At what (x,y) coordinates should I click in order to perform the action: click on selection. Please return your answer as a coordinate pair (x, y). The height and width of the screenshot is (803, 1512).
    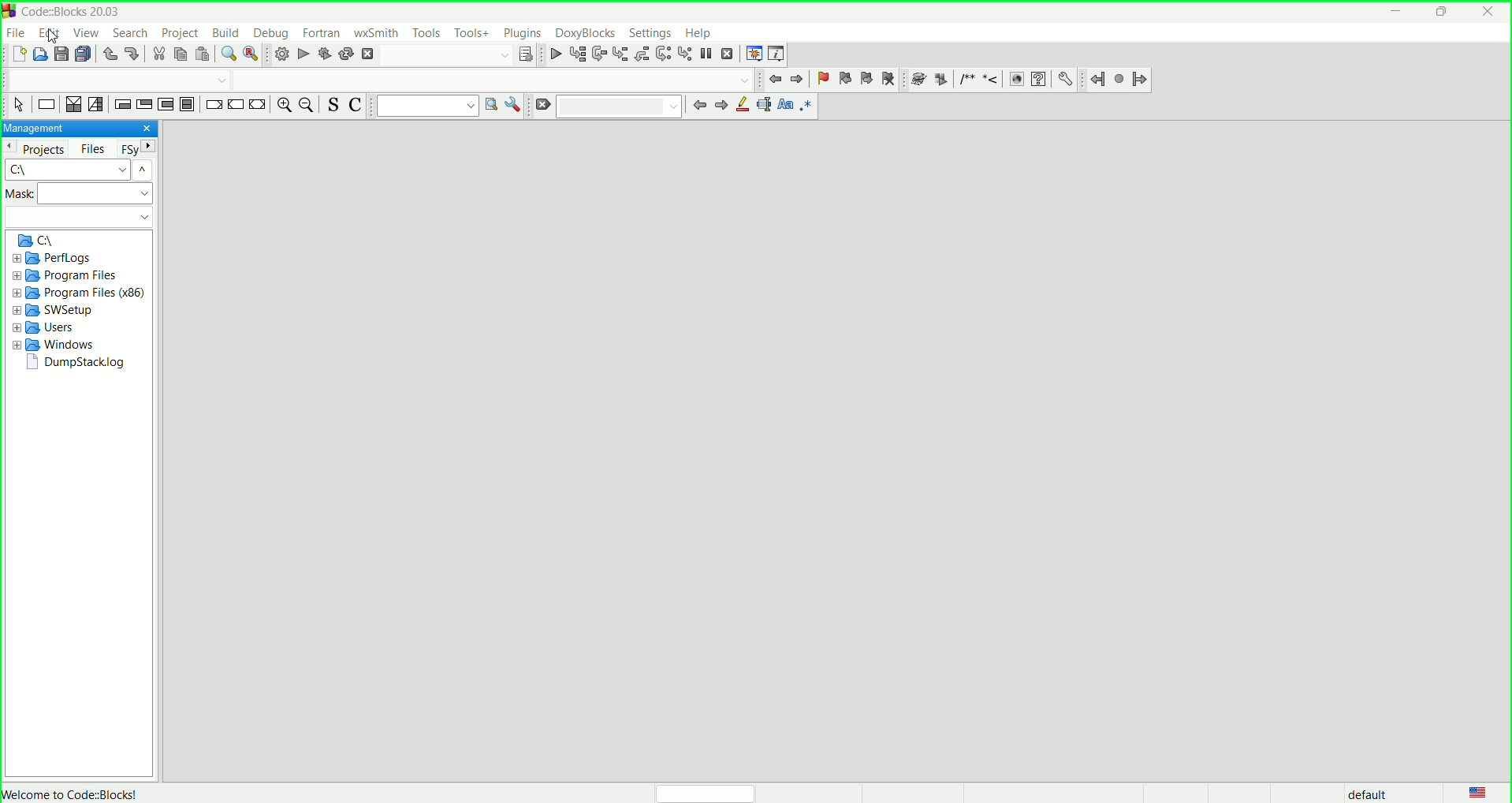
    Looking at the image, I should click on (97, 105).